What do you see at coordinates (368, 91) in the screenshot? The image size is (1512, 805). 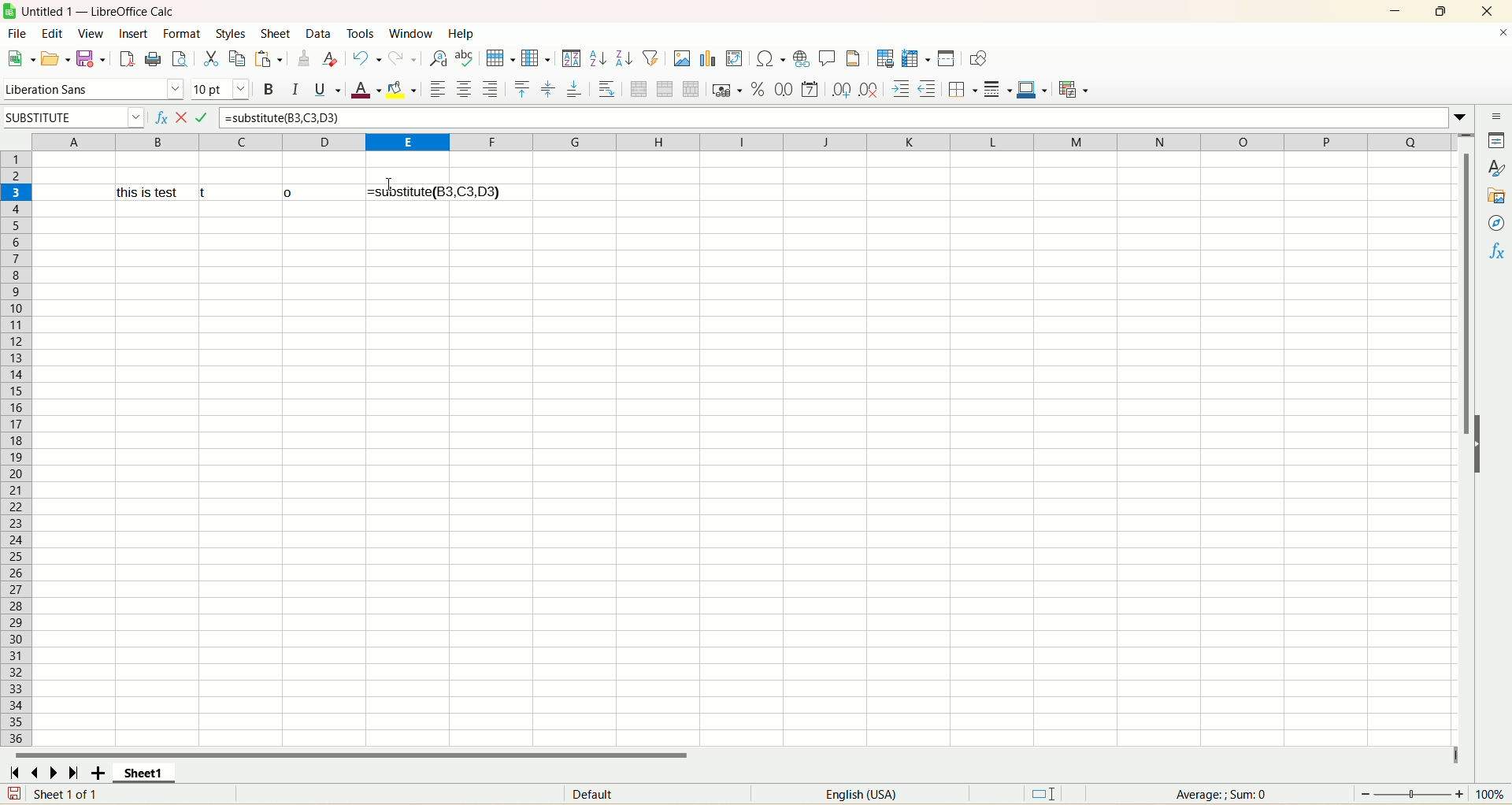 I see `font color` at bounding box center [368, 91].